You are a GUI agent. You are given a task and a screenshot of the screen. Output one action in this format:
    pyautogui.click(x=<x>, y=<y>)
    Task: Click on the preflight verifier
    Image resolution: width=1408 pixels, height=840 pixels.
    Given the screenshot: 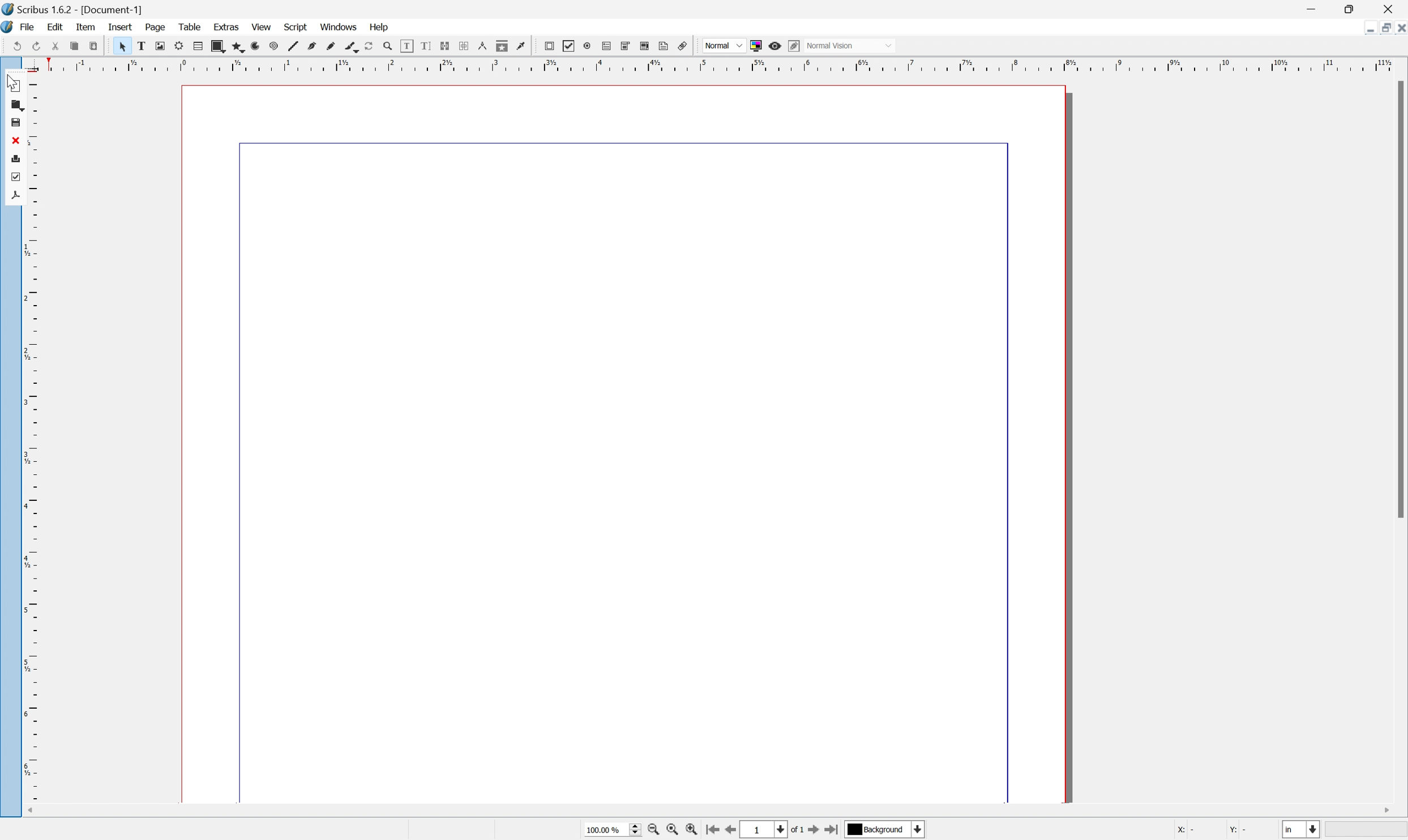 What is the action you would take?
    pyautogui.click(x=121, y=45)
    